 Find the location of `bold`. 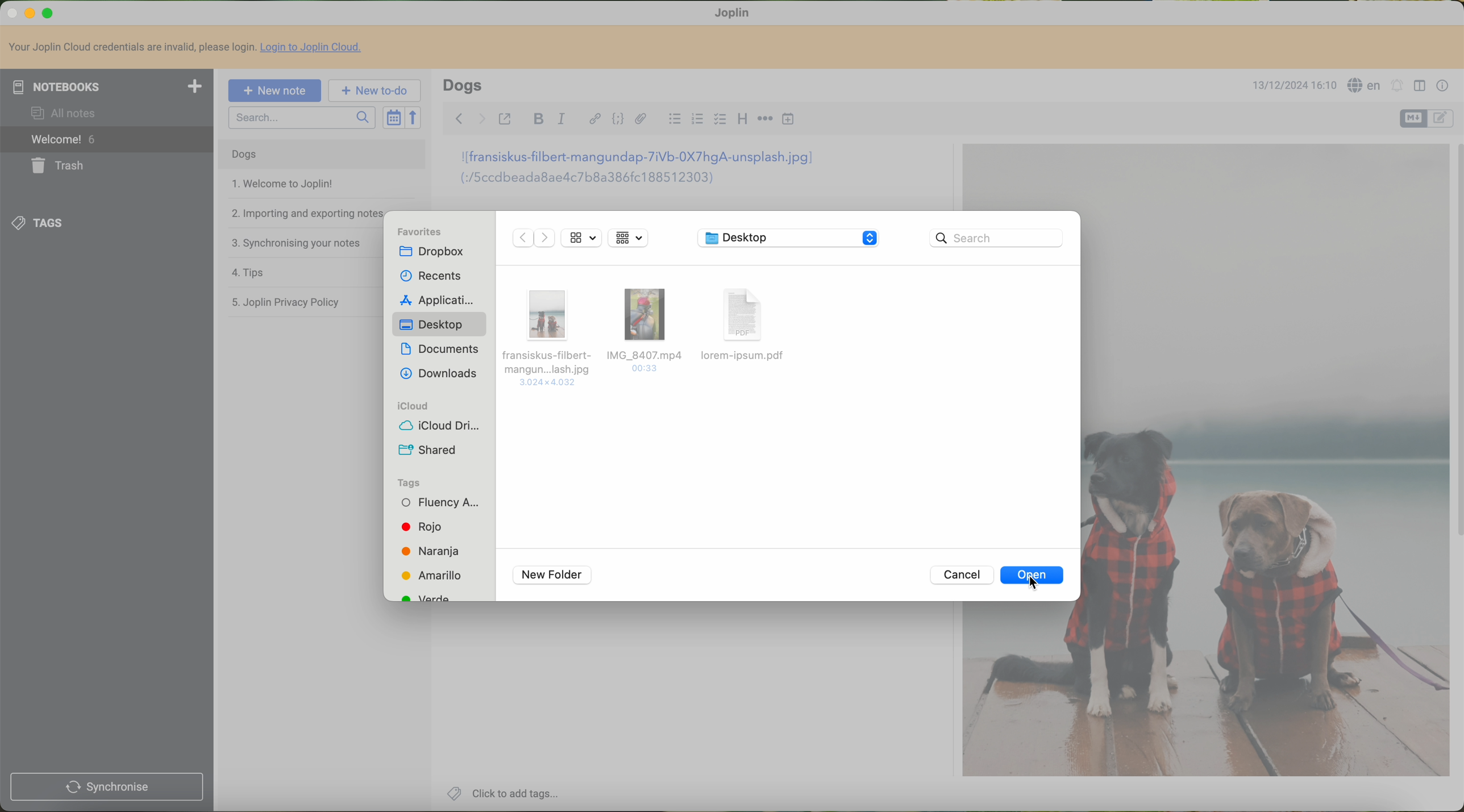

bold is located at coordinates (538, 120).